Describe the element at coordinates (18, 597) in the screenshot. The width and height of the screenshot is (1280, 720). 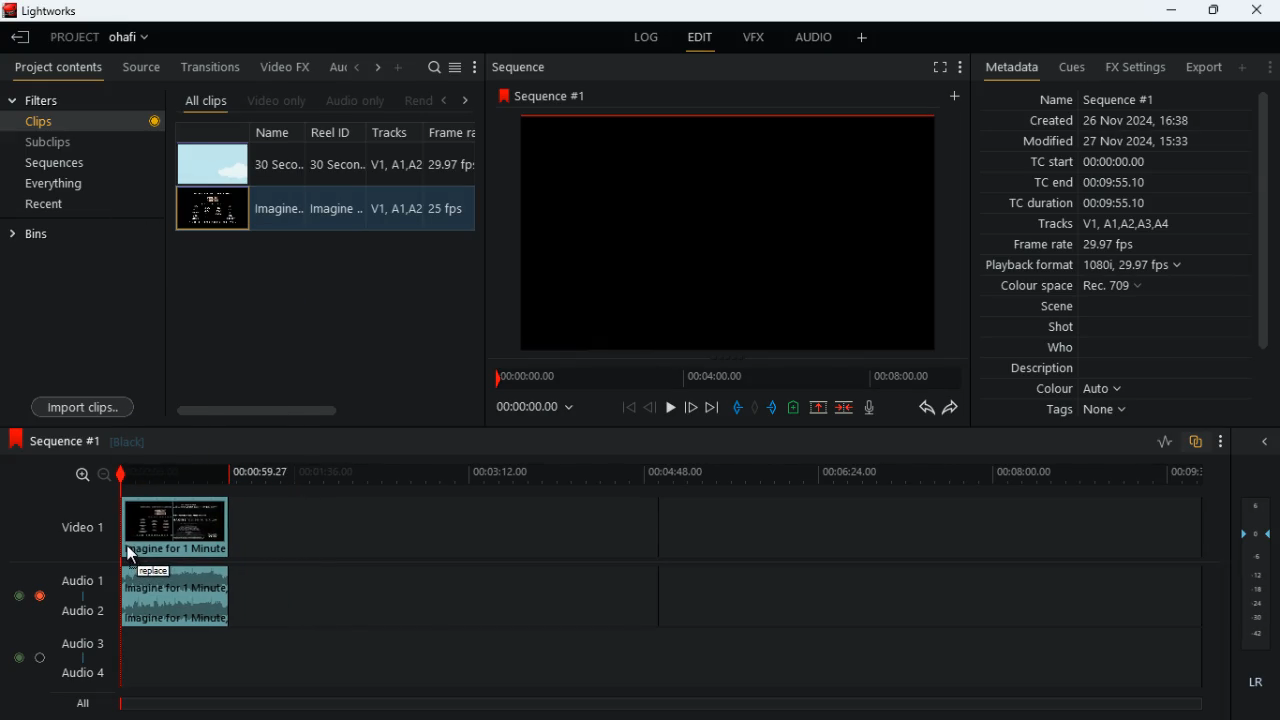
I see `toggle` at that location.